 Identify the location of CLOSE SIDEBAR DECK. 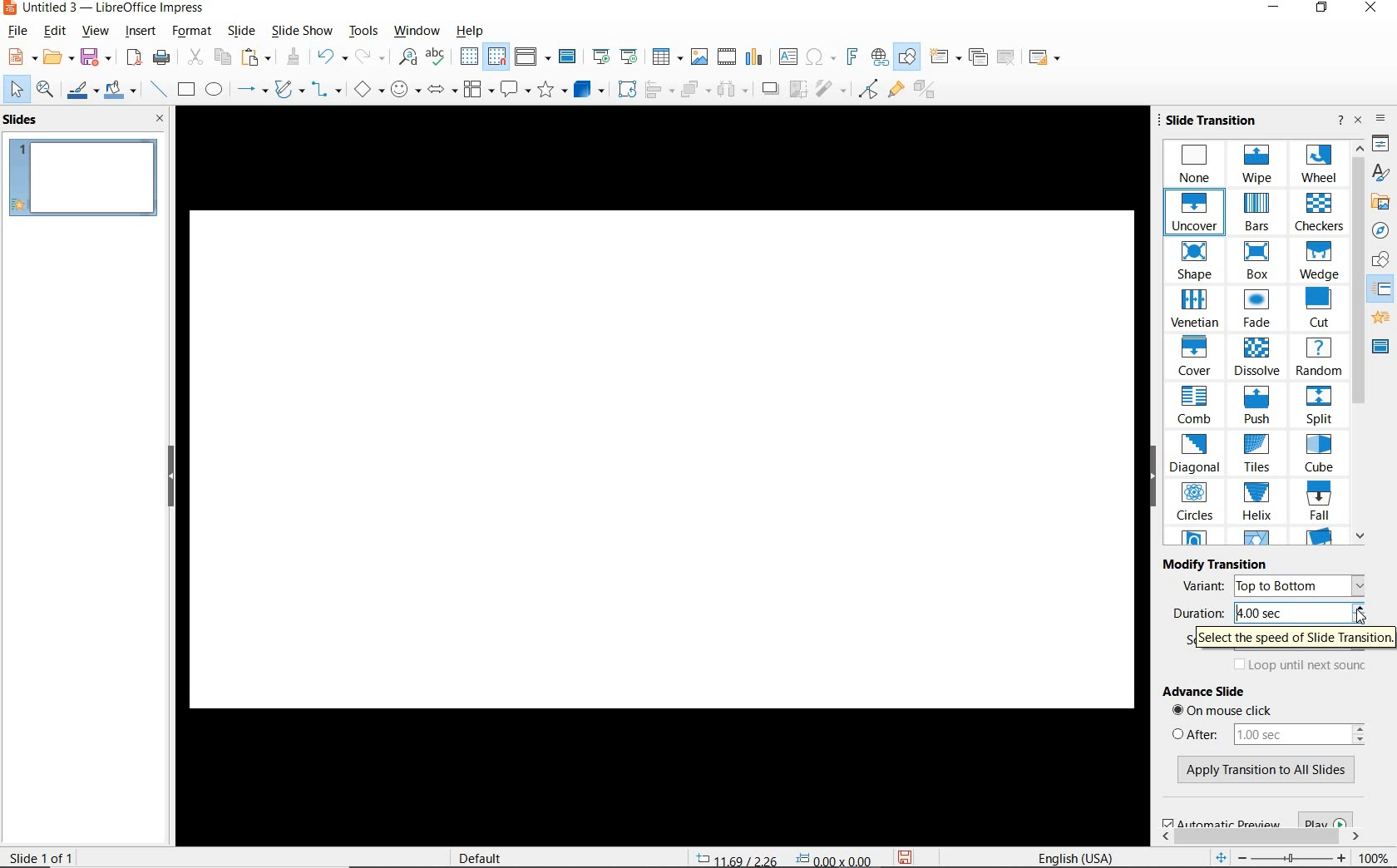
(1359, 121).